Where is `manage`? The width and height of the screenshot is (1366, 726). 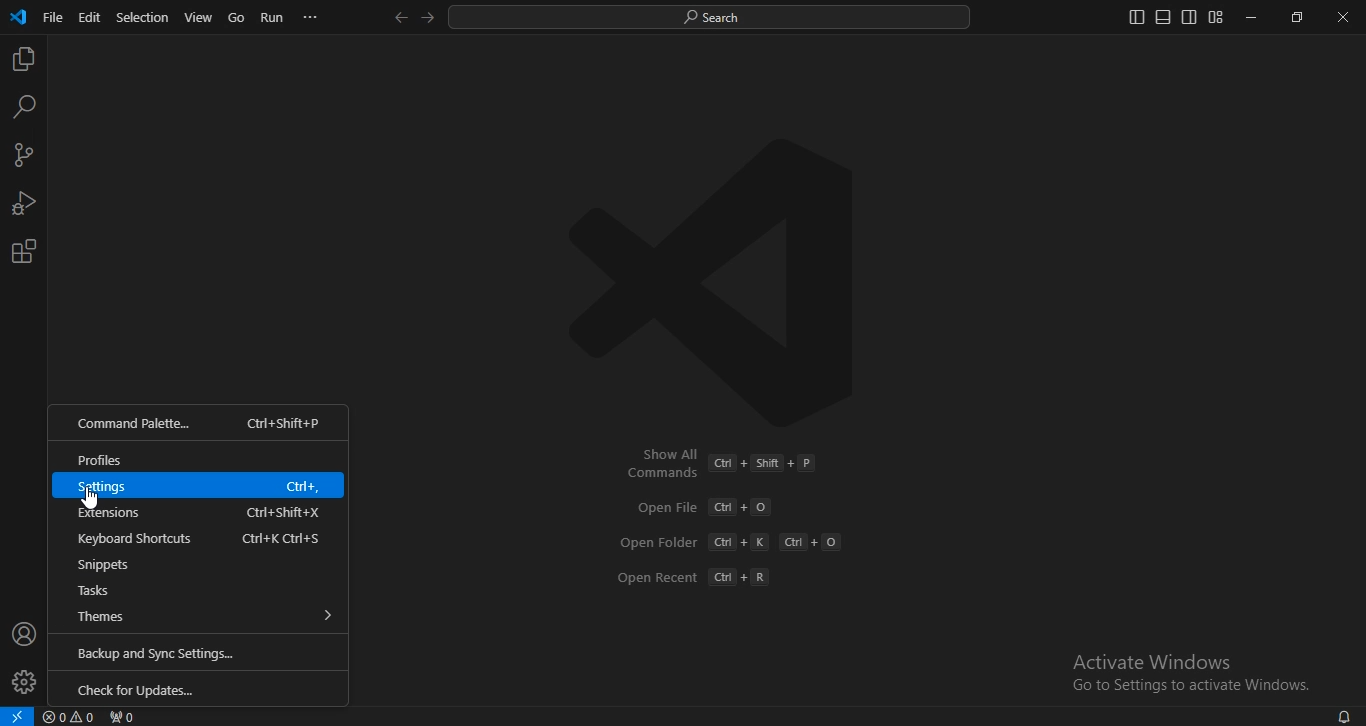 manage is located at coordinates (26, 684).